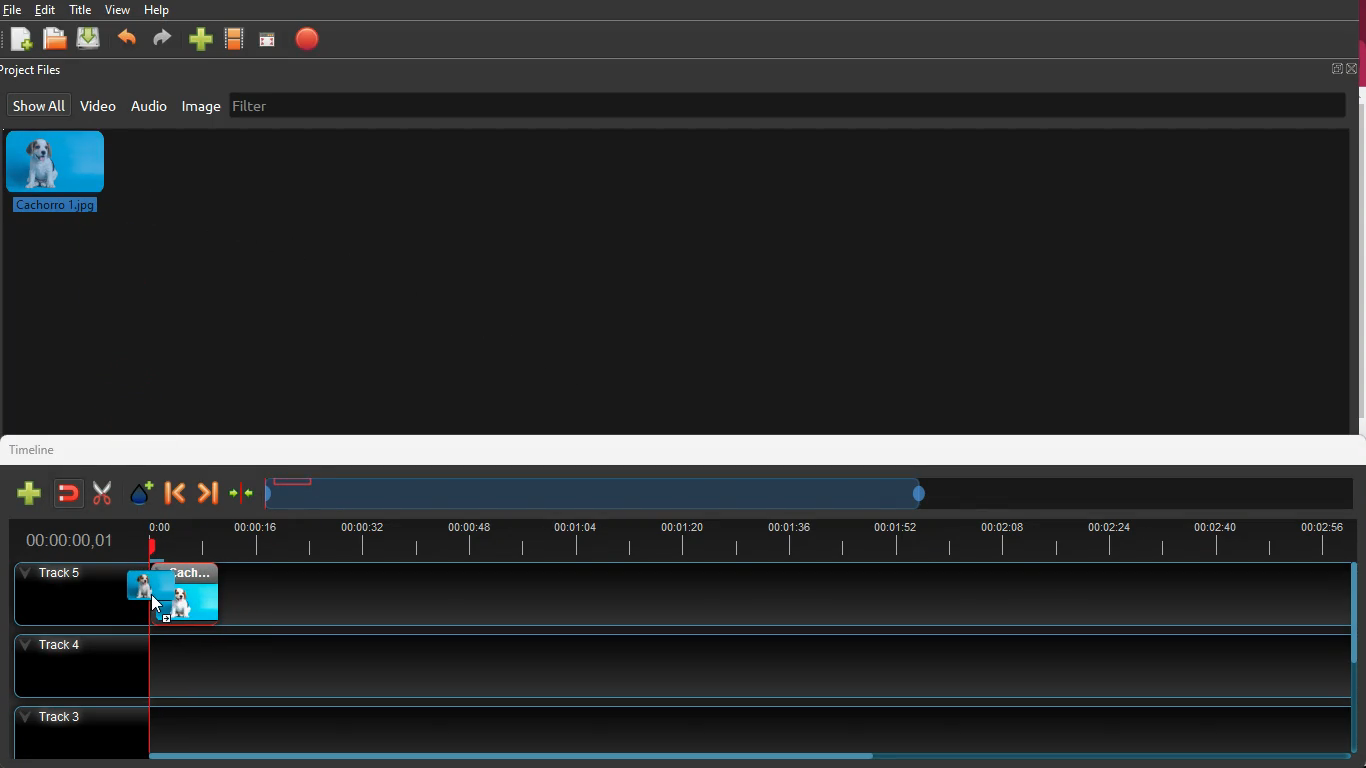 This screenshot has height=768, width=1366. Describe the element at coordinates (175, 493) in the screenshot. I see `back` at that location.